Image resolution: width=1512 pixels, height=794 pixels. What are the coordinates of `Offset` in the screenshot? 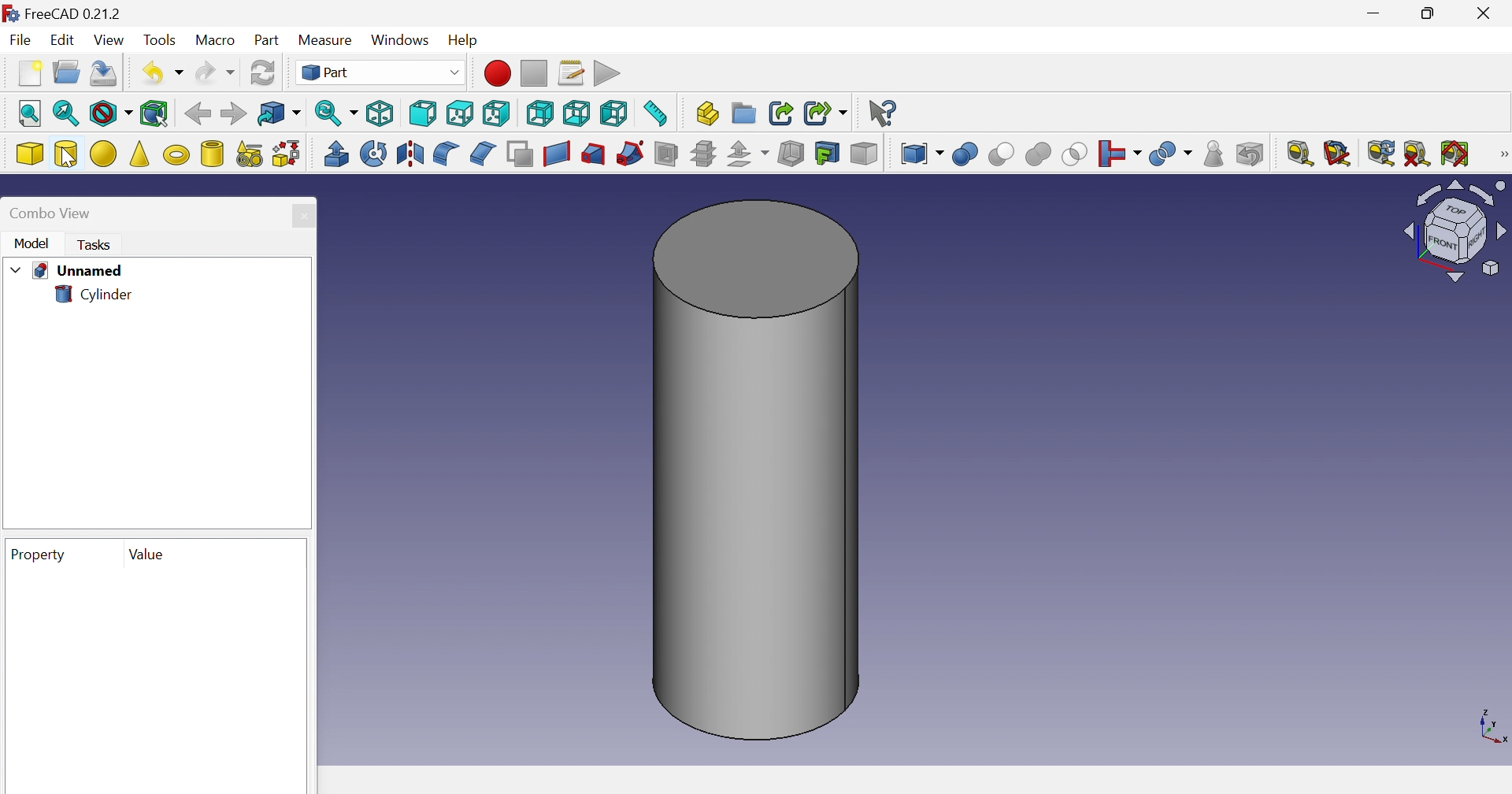 It's located at (747, 155).